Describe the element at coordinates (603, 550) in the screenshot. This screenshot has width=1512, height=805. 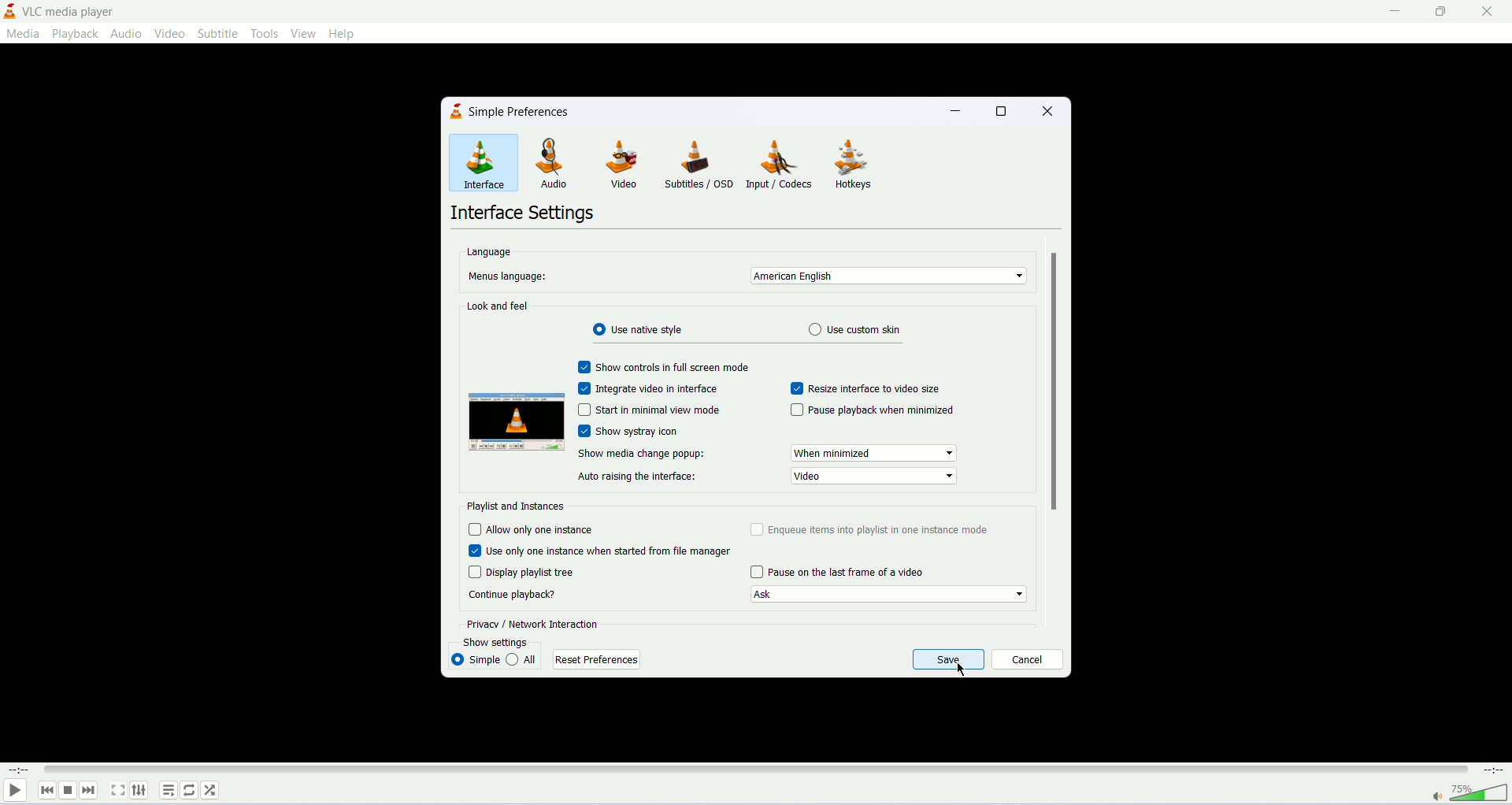
I see `use only one instance when started from file manager` at that location.